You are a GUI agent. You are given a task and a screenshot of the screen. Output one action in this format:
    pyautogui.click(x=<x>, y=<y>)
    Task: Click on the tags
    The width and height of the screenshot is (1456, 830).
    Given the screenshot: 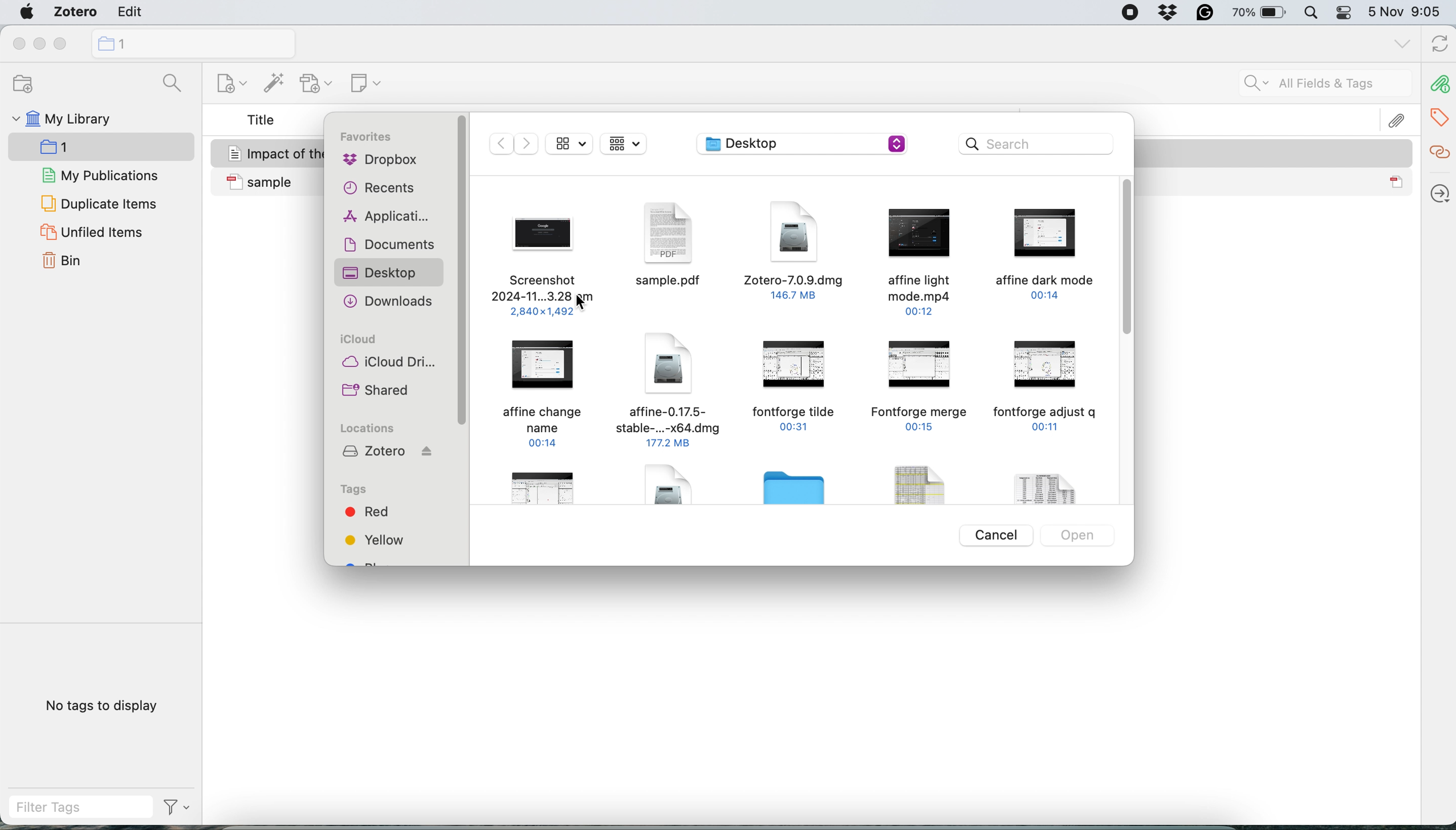 What is the action you would take?
    pyautogui.click(x=1441, y=115)
    